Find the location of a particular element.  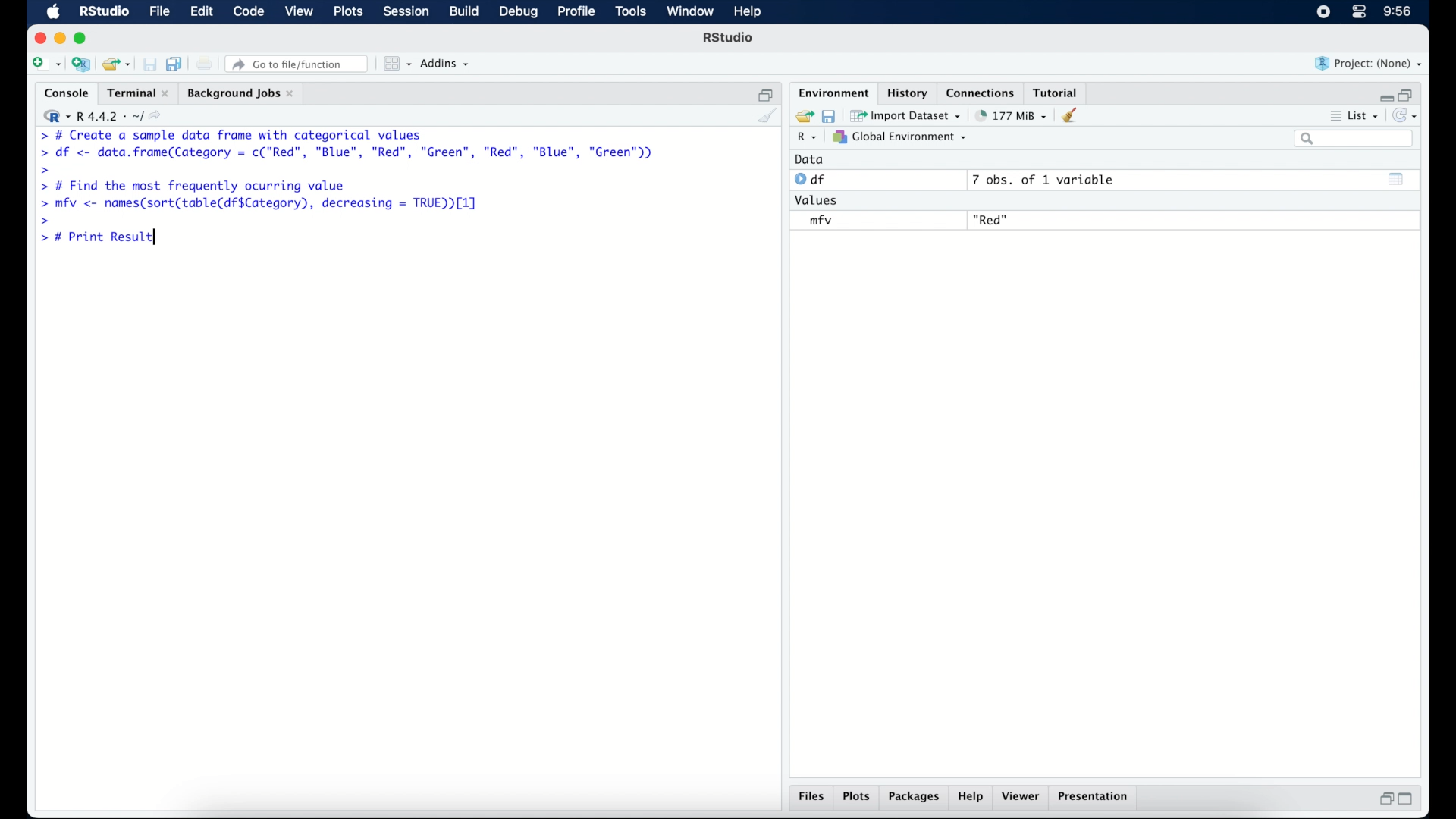

> # Print Result is located at coordinates (101, 238).